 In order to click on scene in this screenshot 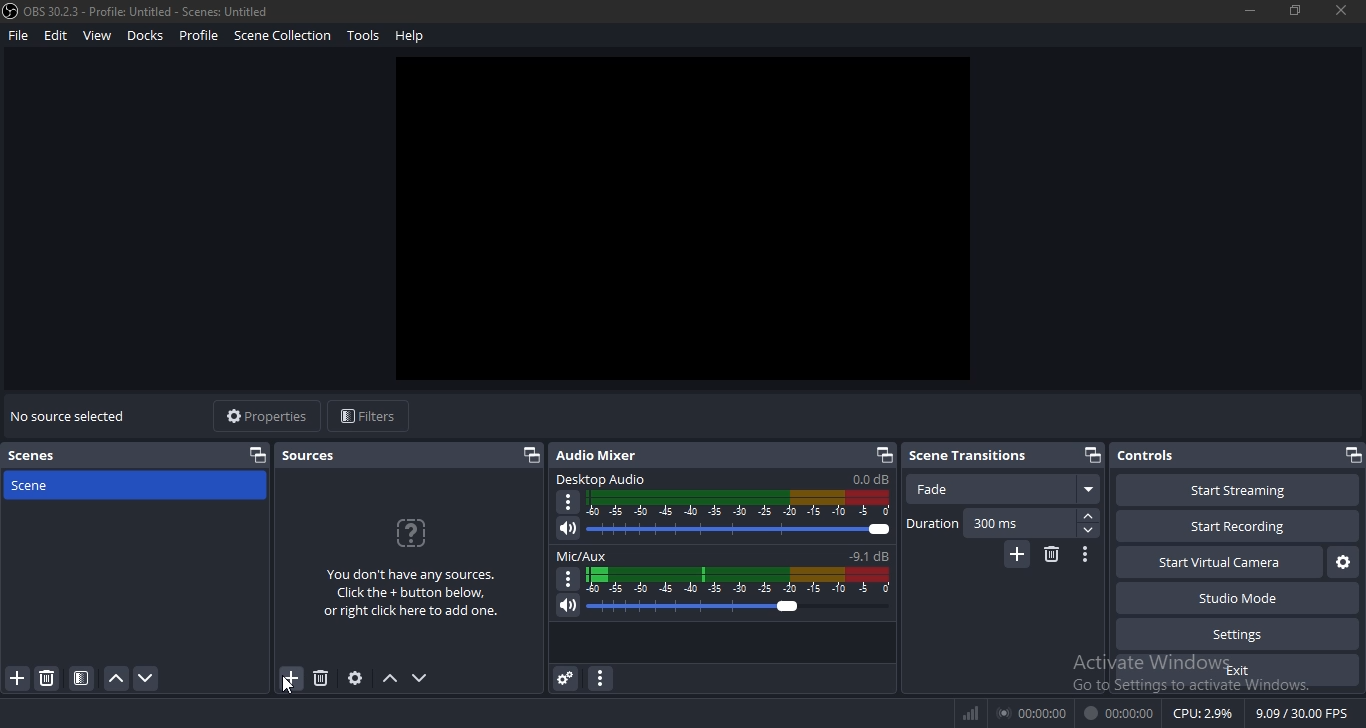, I will do `click(115, 485)`.